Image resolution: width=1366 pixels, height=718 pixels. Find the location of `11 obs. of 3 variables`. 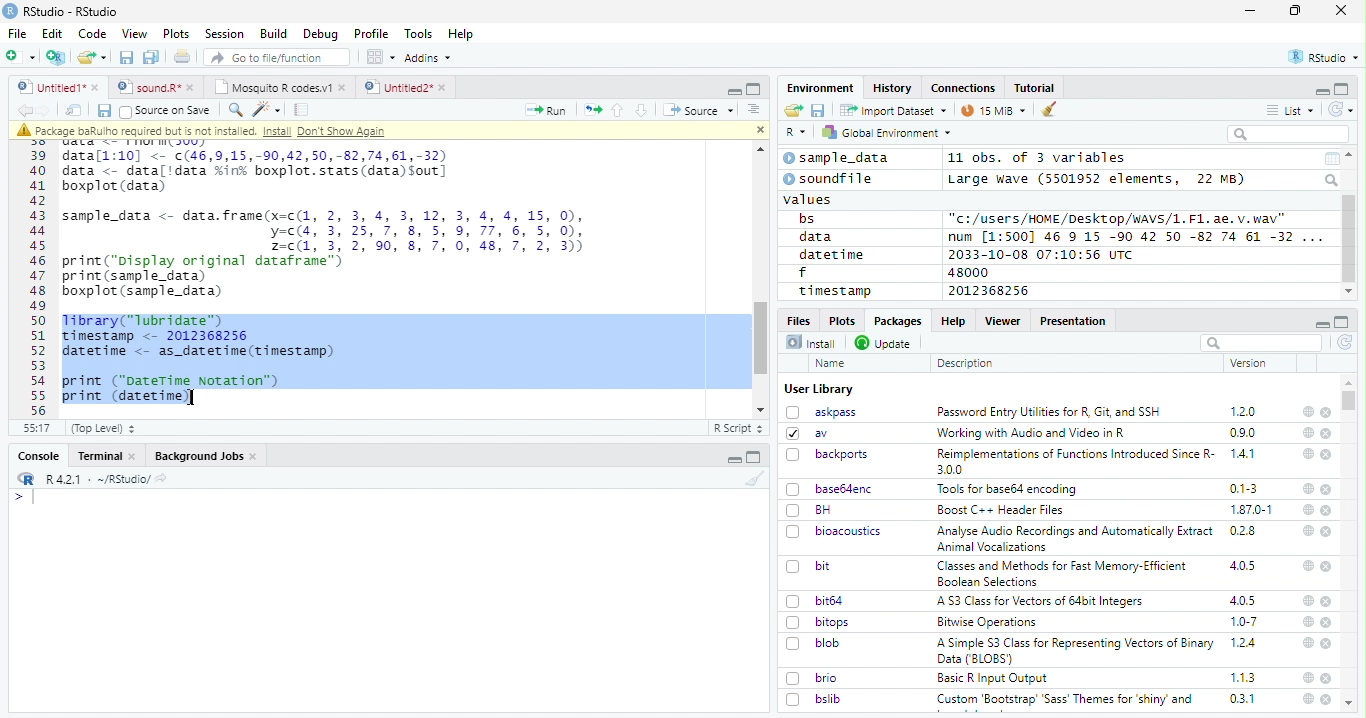

11 obs. of 3 variables is located at coordinates (1038, 159).